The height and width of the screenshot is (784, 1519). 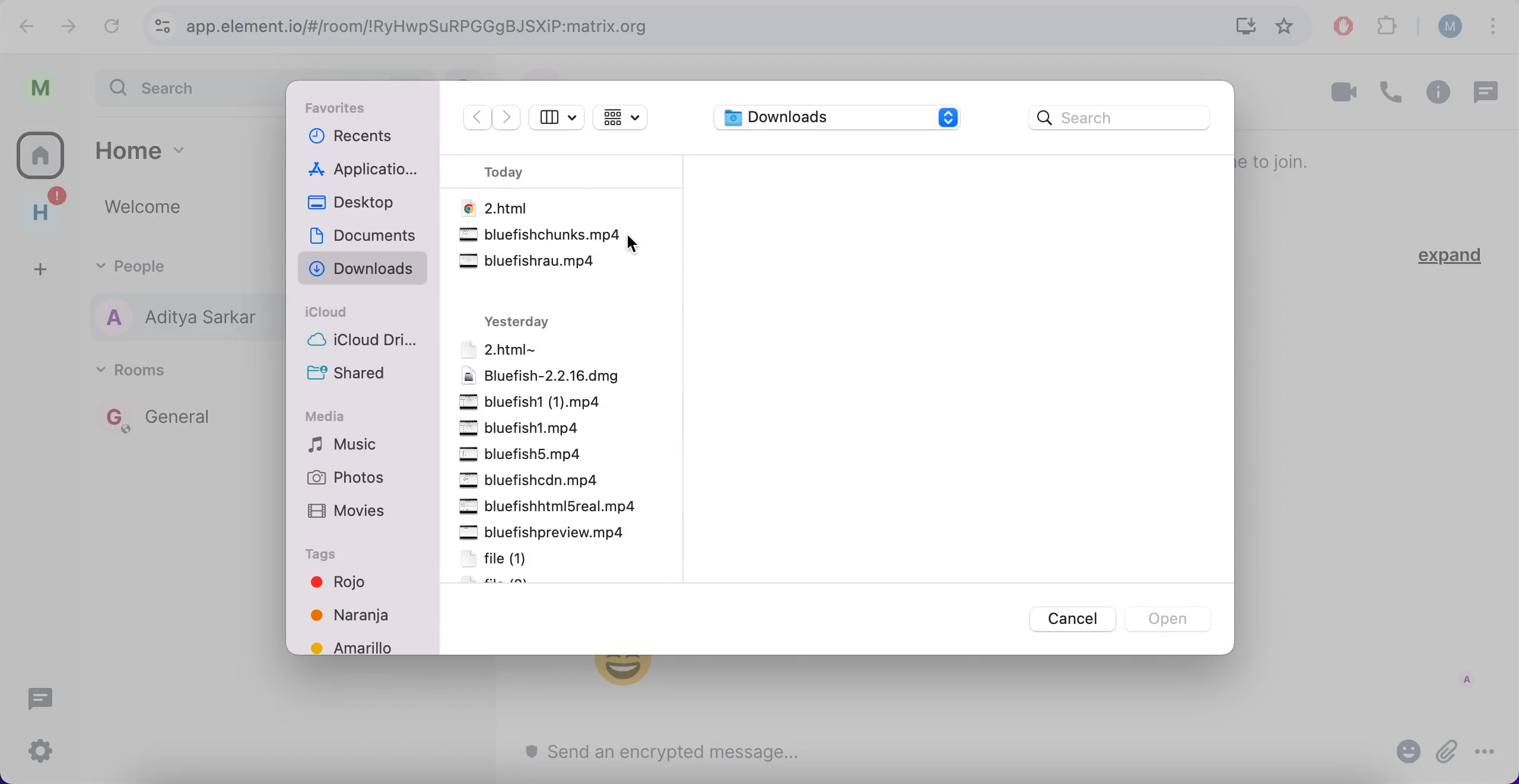 What do you see at coordinates (504, 116) in the screenshot?
I see `` at bounding box center [504, 116].